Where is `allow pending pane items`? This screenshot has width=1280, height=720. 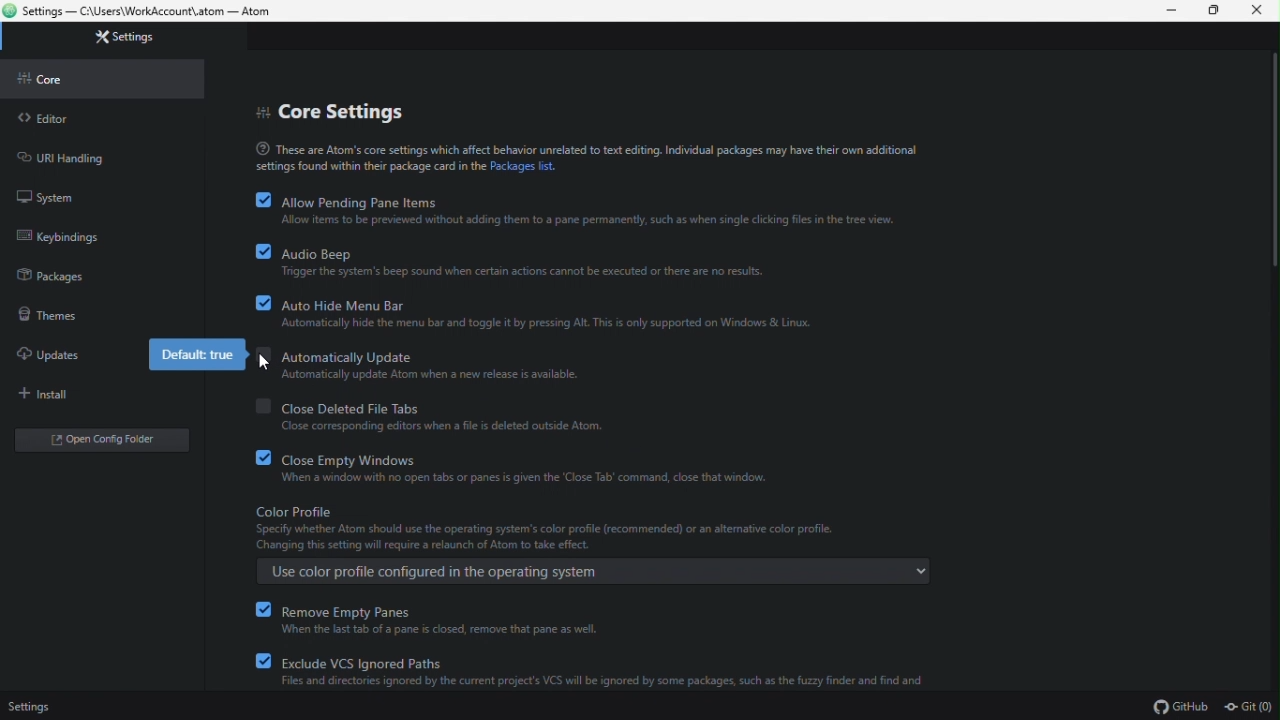
allow pending pane items is located at coordinates (576, 210).